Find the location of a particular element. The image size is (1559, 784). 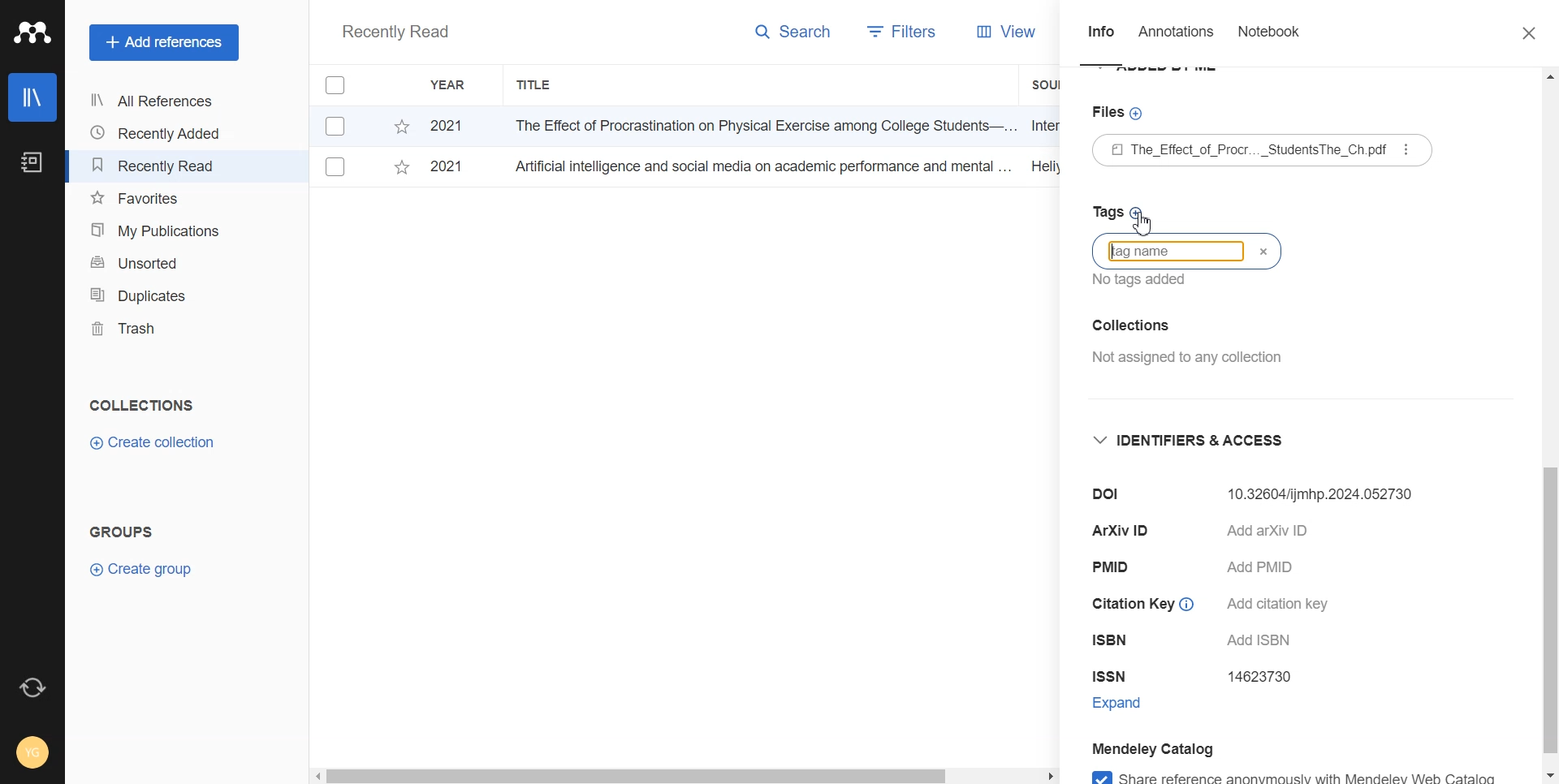

Mendeley Catalog is located at coordinates (1154, 747).